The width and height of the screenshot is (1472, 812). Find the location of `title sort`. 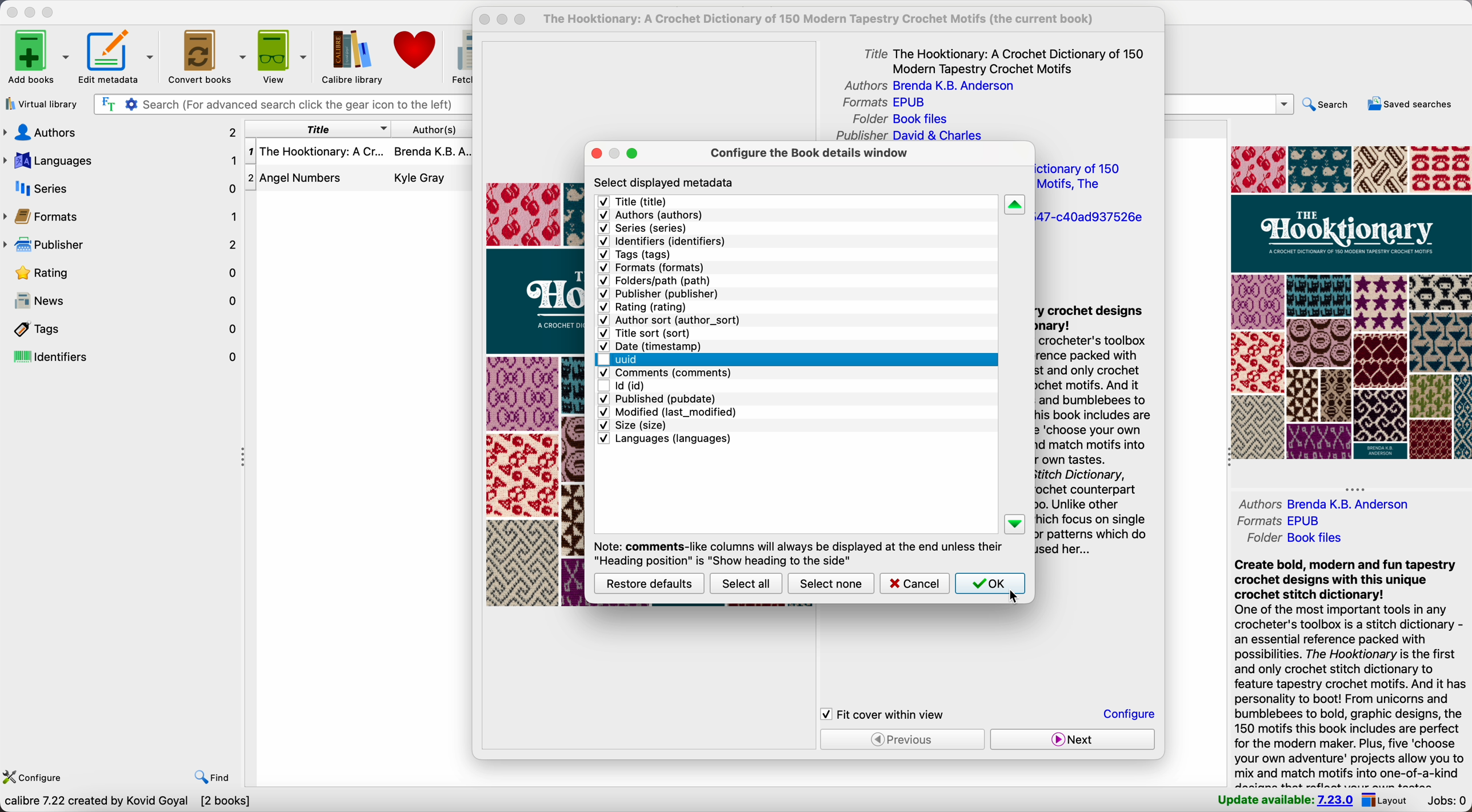

title sort is located at coordinates (649, 334).